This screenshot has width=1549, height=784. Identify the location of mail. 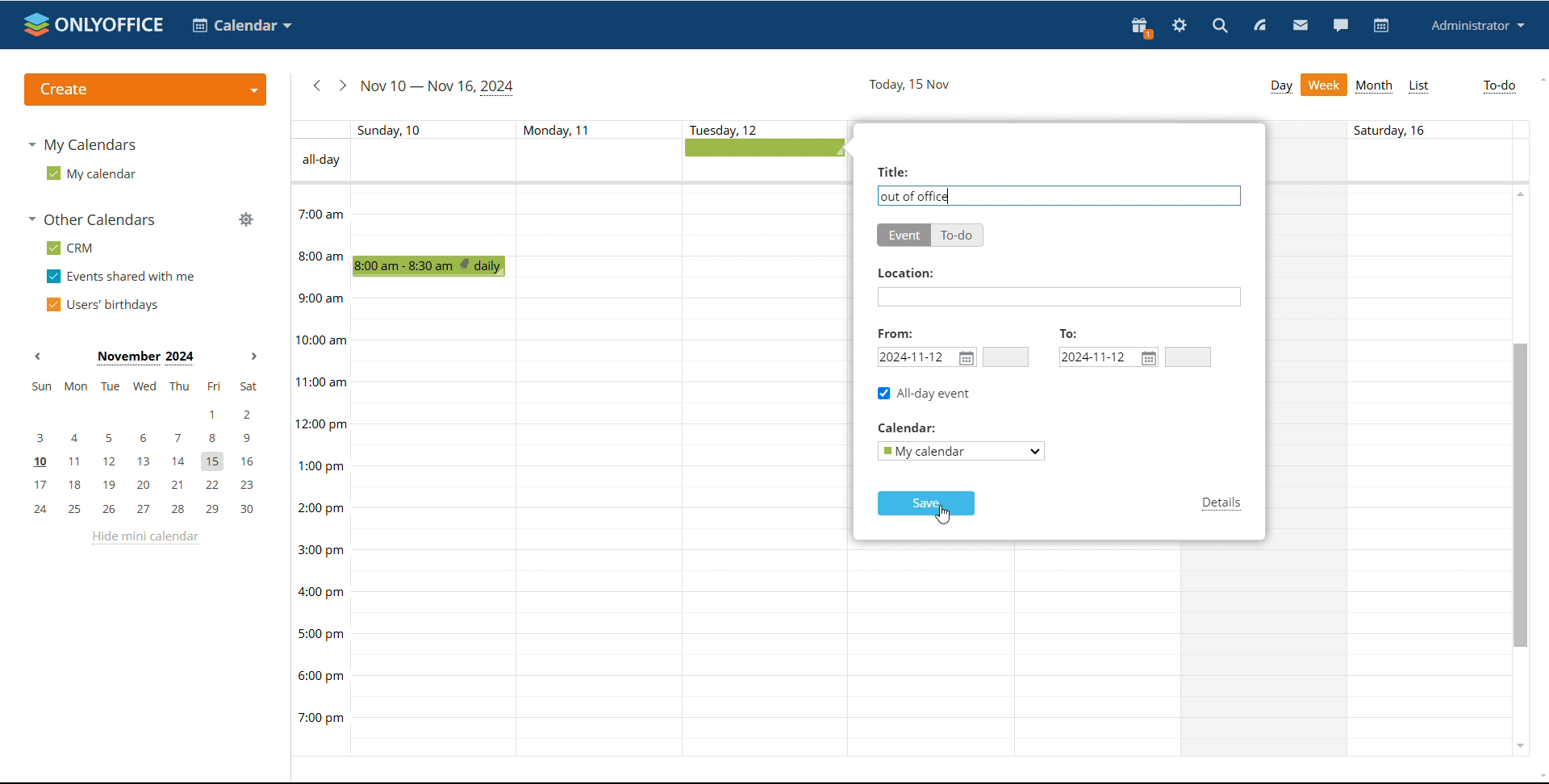
(1301, 25).